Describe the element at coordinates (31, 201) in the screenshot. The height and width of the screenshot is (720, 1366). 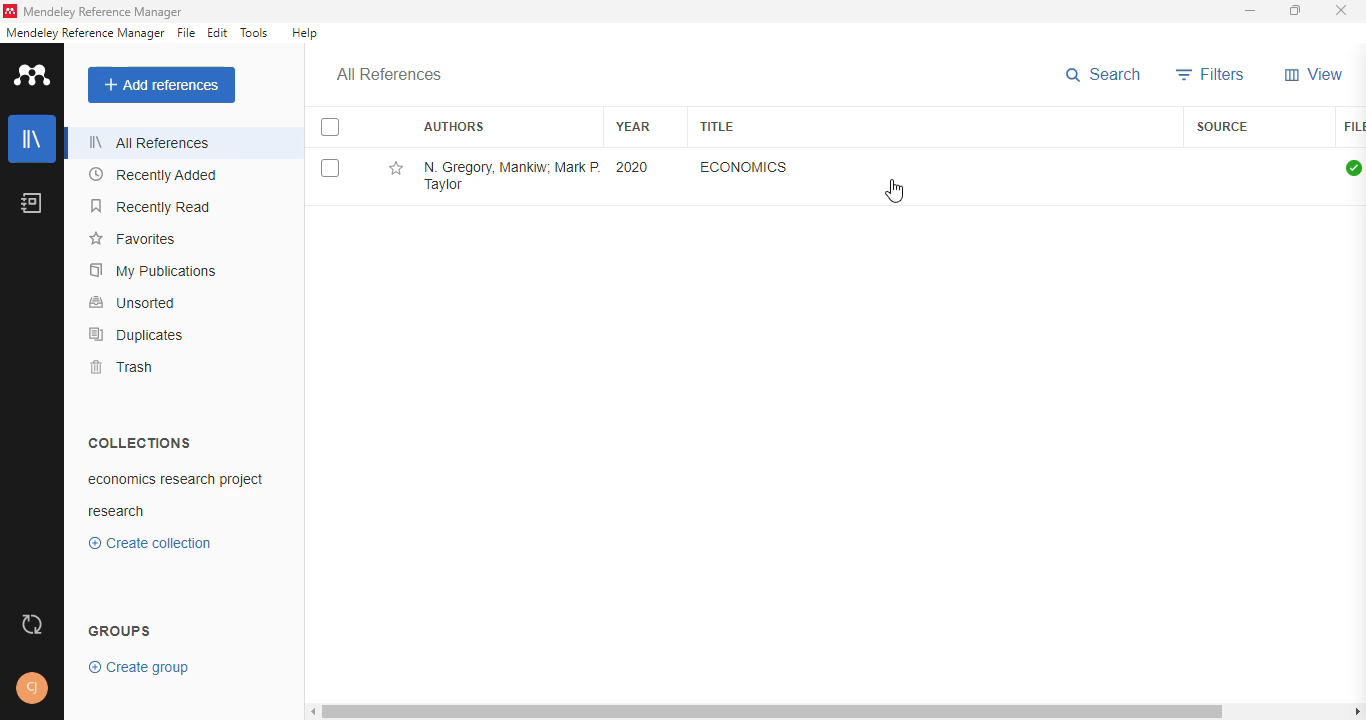
I see `notebook` at that location.